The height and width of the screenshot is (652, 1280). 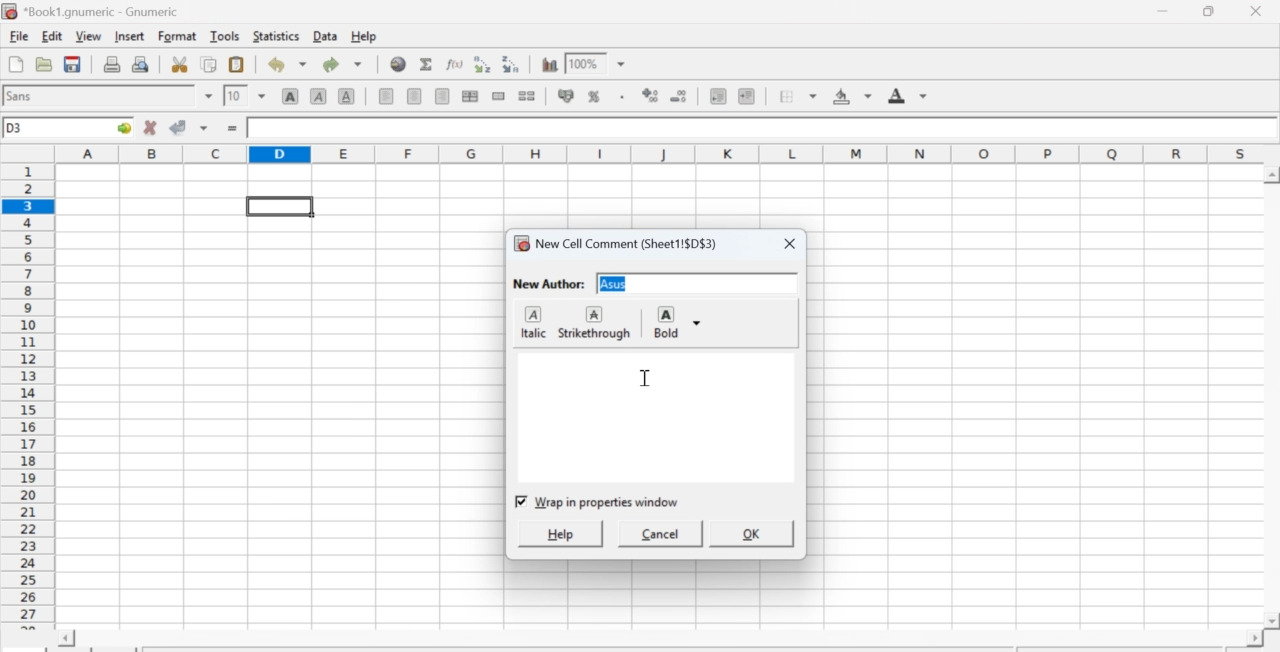 What do you see at coordinates (110, 64) in the screenshot?
I see `Print` at bounding box center [110, 64].